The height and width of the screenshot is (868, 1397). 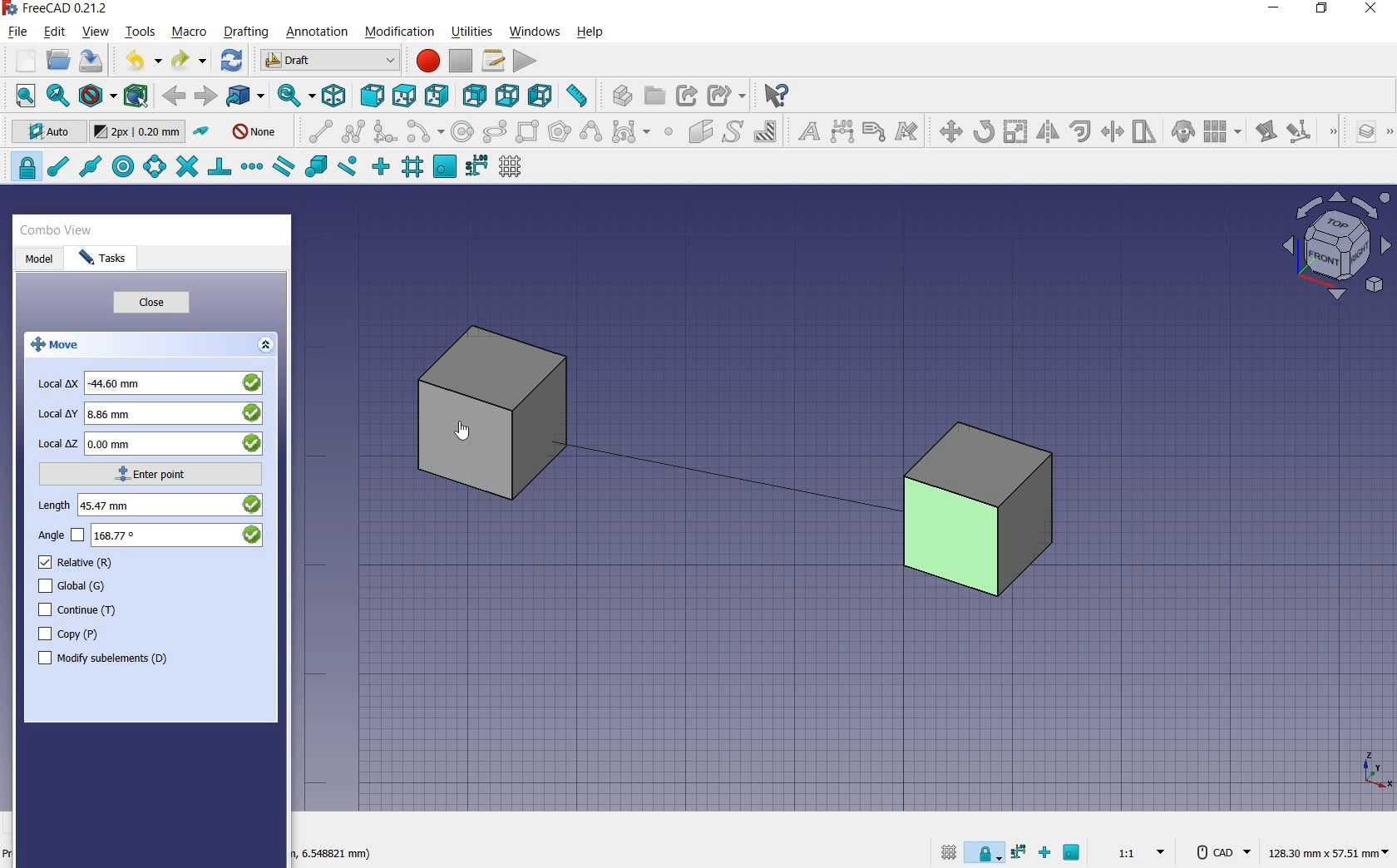 I want to click on rear, so click(x=475, y=96).